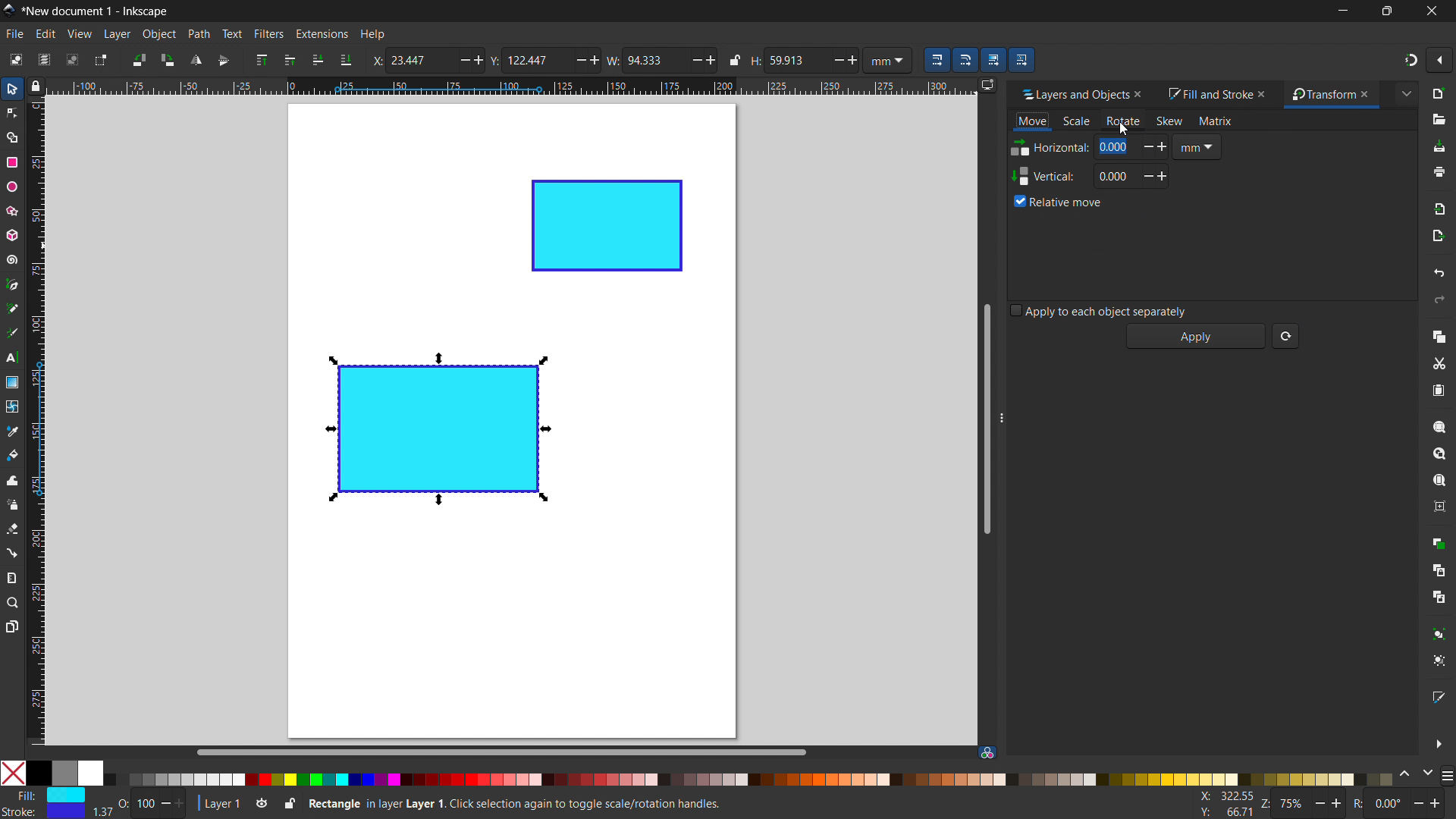  What do you see at coordinates (607, 226) in the screenshot?
I see `object 2` at bounding box center [607, 226].